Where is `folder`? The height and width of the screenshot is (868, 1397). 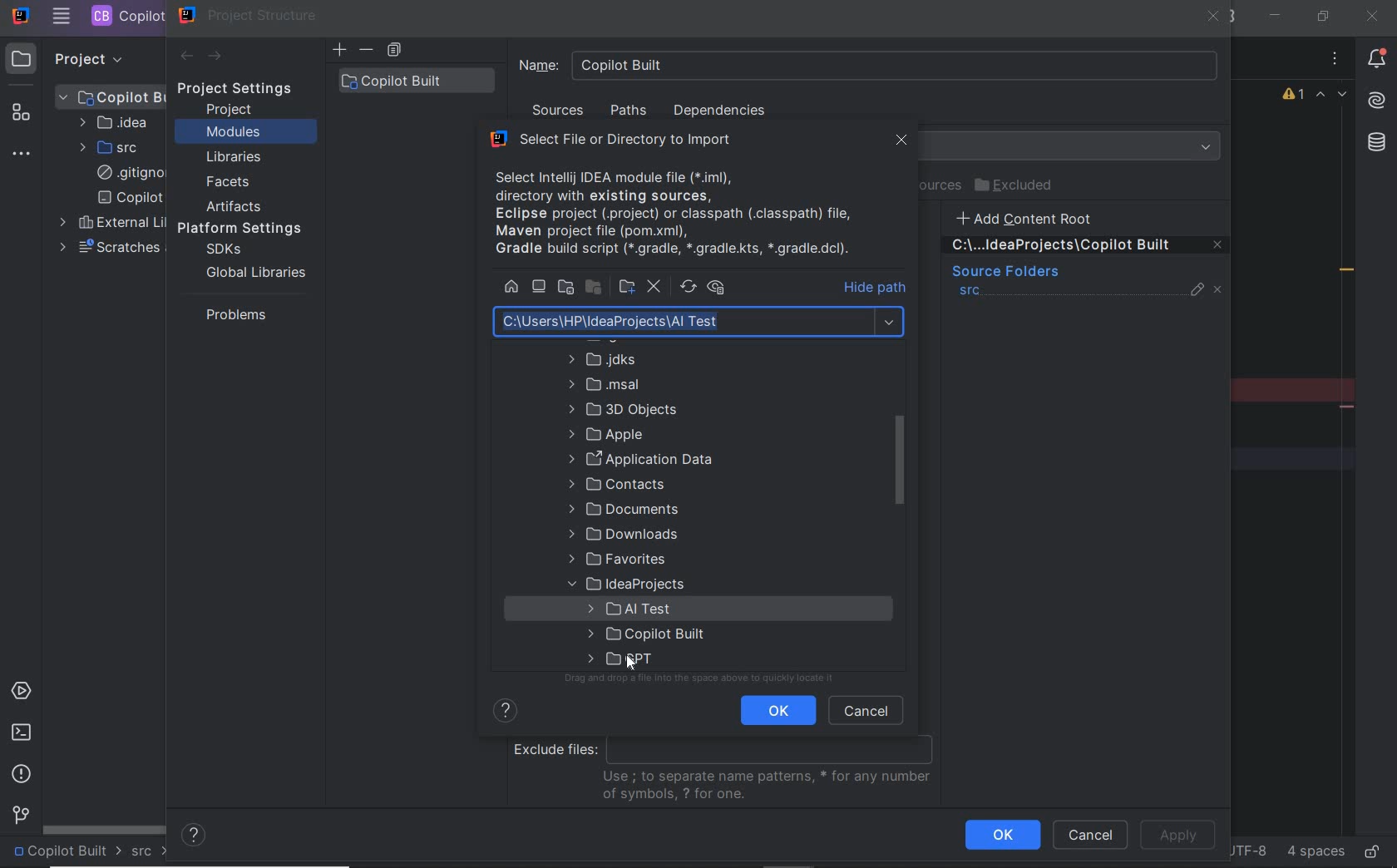 folder is located at coordinates (641, 458).